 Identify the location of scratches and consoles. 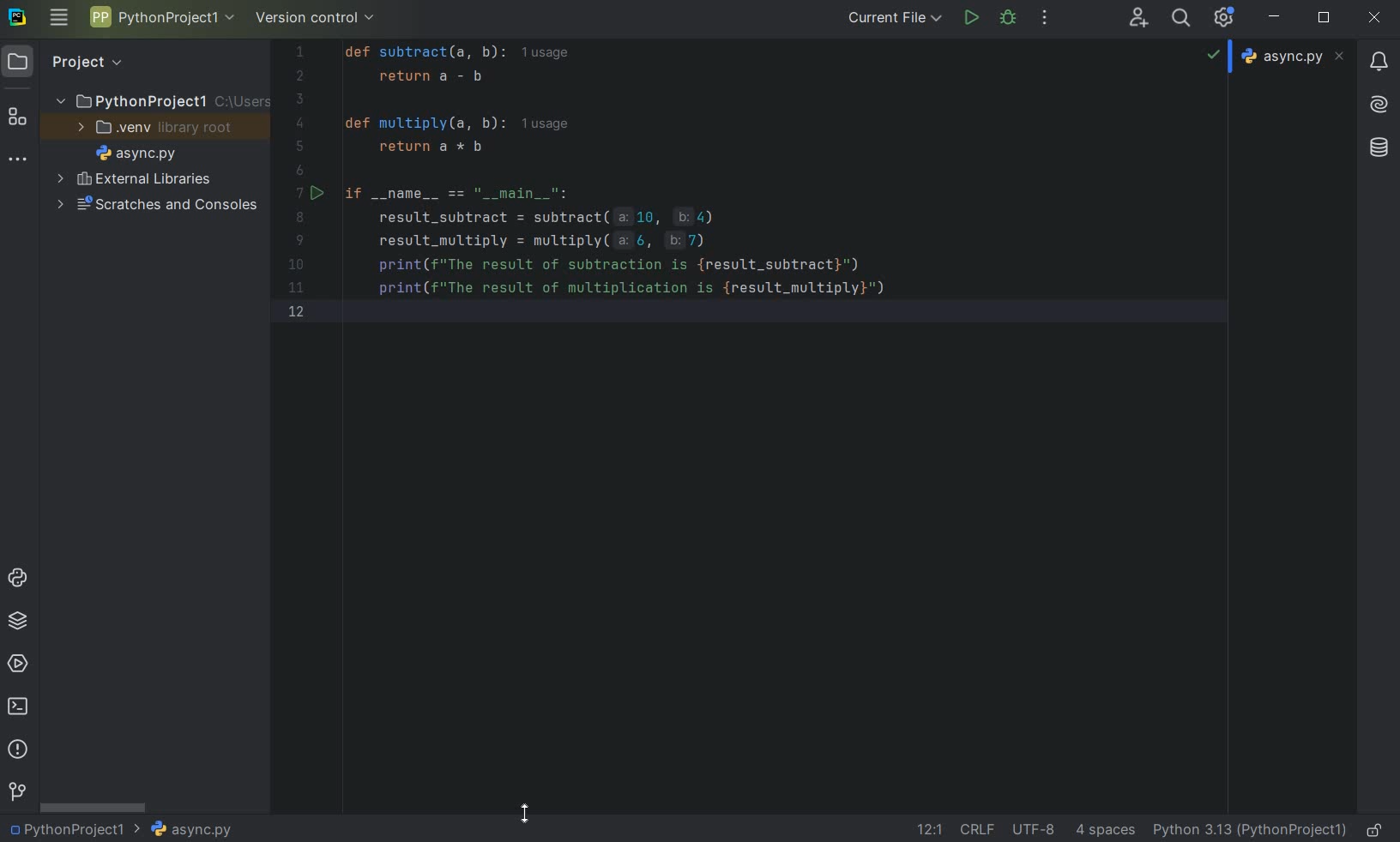
(156, 207).